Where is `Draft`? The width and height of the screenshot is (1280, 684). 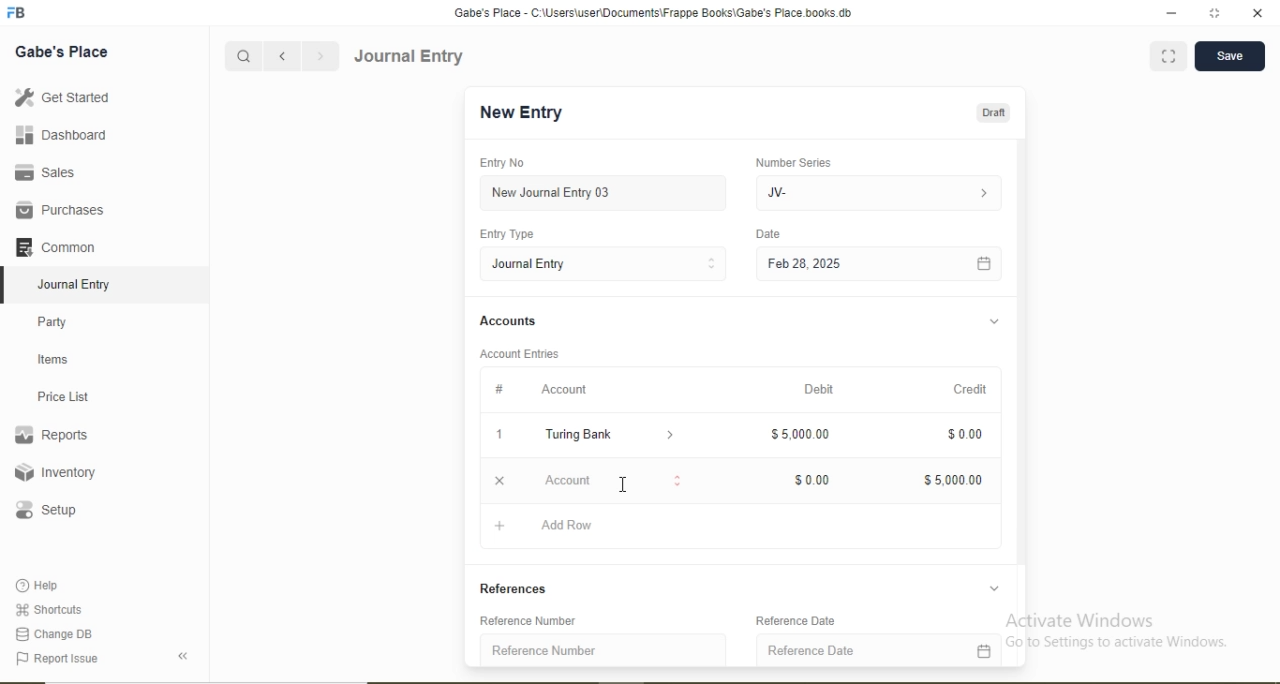 Draft is located at coordinates (993, 114).